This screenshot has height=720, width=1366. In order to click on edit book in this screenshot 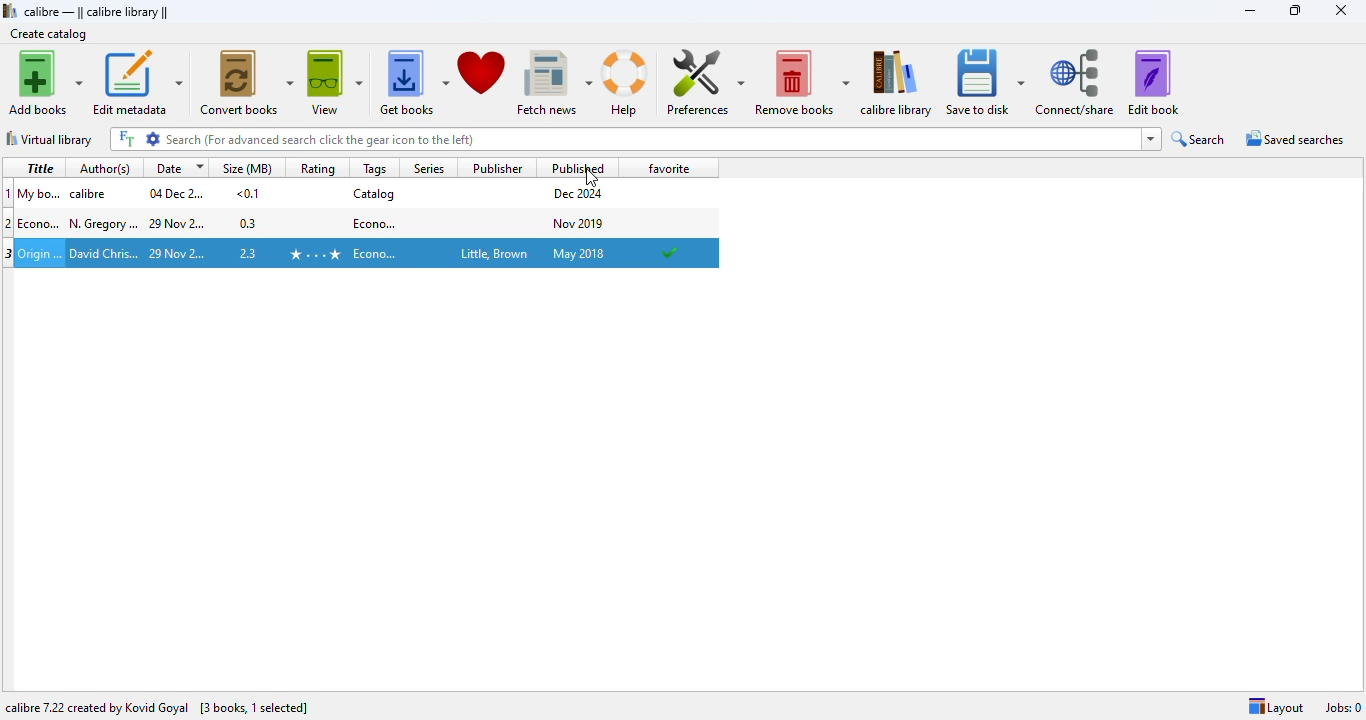, I will do `click(1153, 82)`.